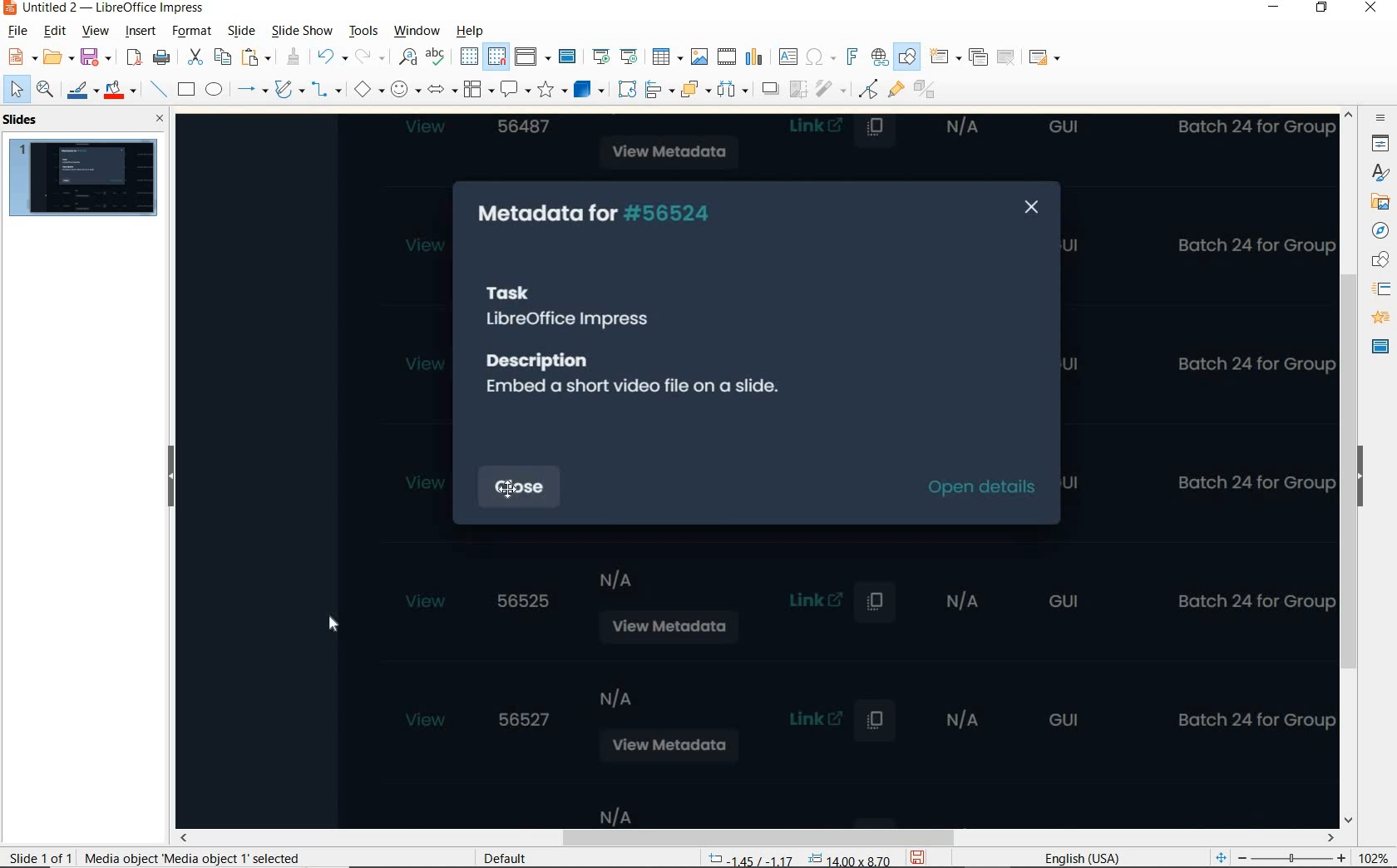  Describe the element at coordinates (496, 57) in the screenshot. I see `SNAP TO GRID` at that location.